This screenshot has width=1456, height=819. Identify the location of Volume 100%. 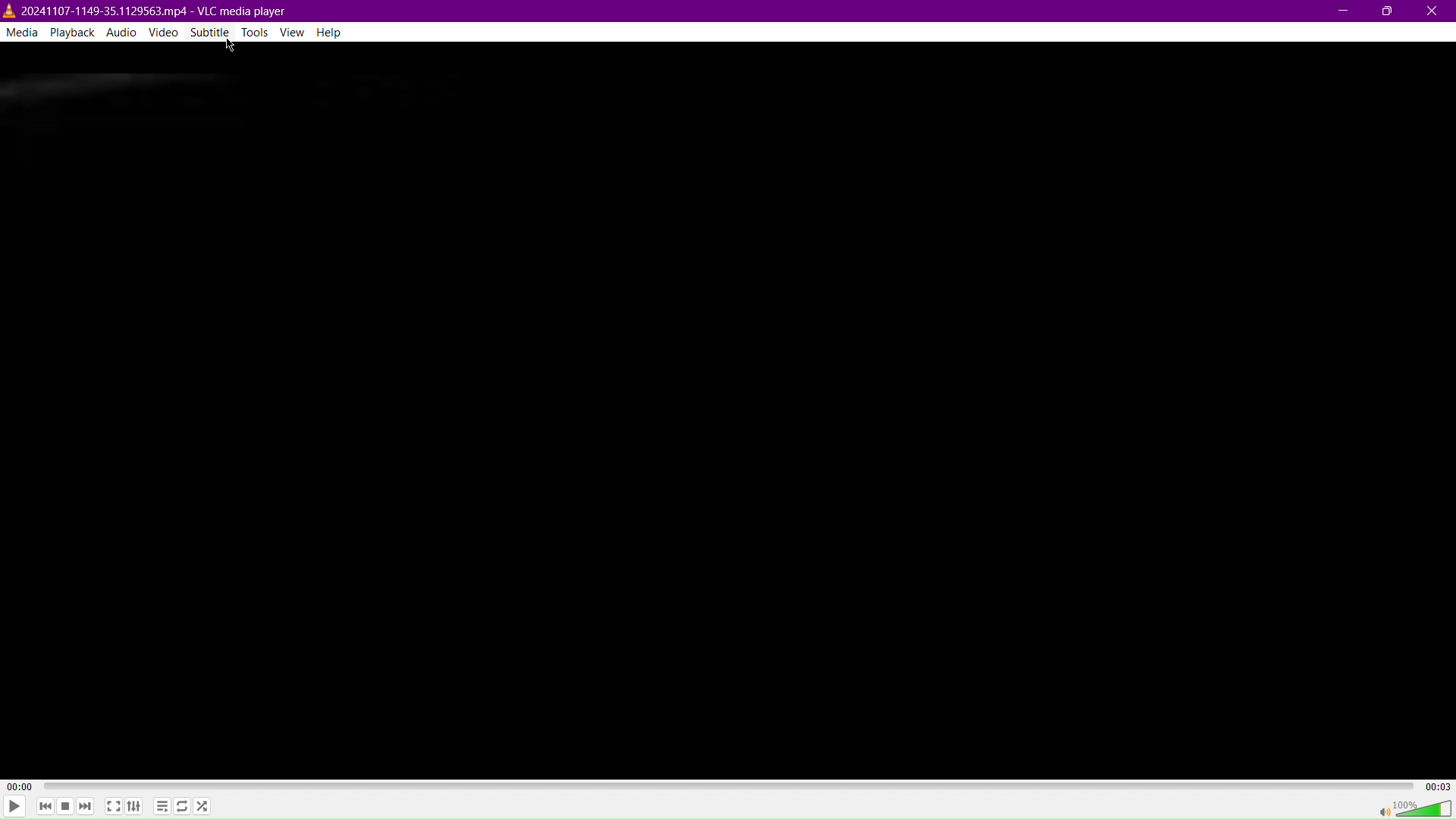
(1414, 808).